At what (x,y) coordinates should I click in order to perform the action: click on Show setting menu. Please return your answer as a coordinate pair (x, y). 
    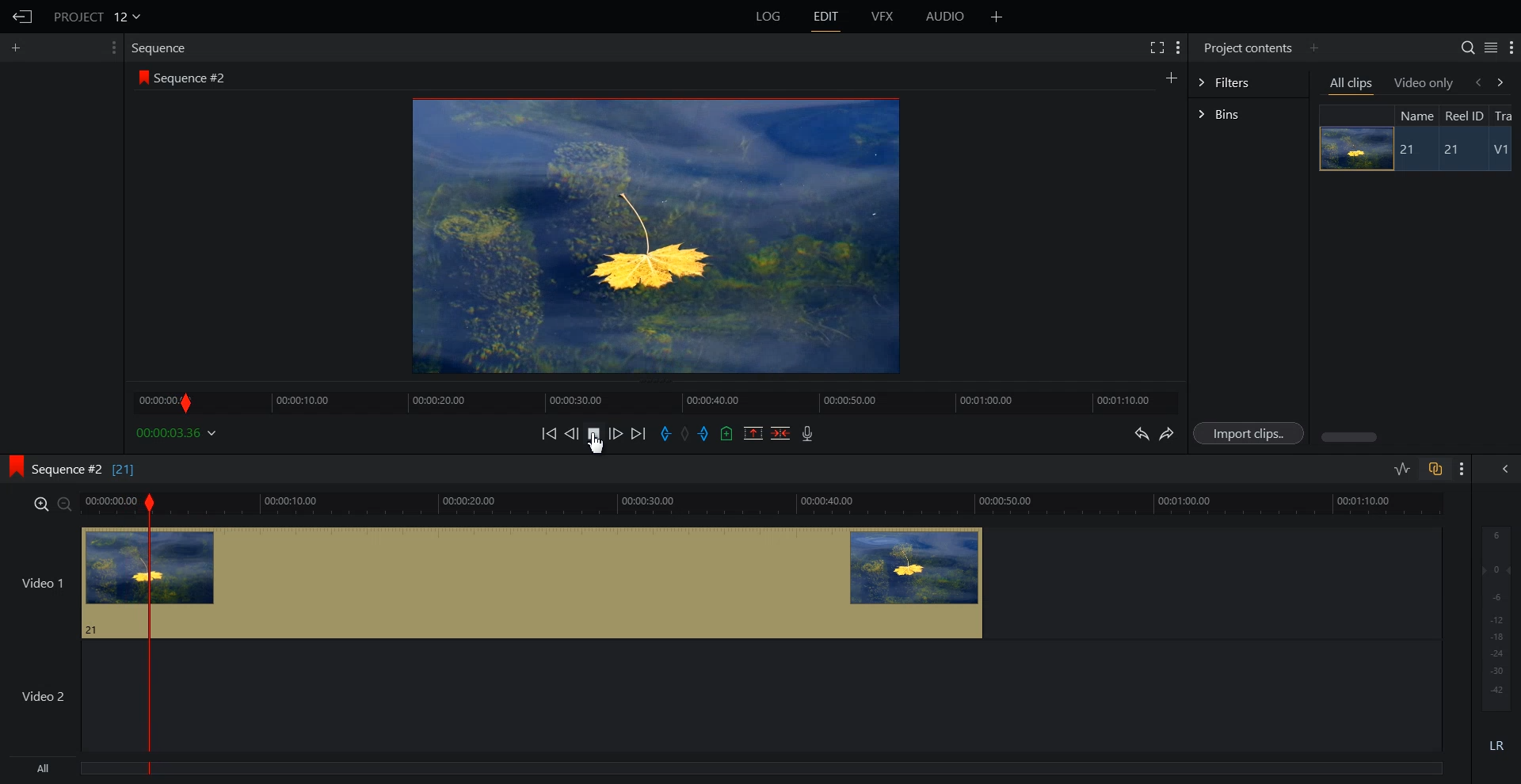
    Looking at the image, I should click on (112, 48).